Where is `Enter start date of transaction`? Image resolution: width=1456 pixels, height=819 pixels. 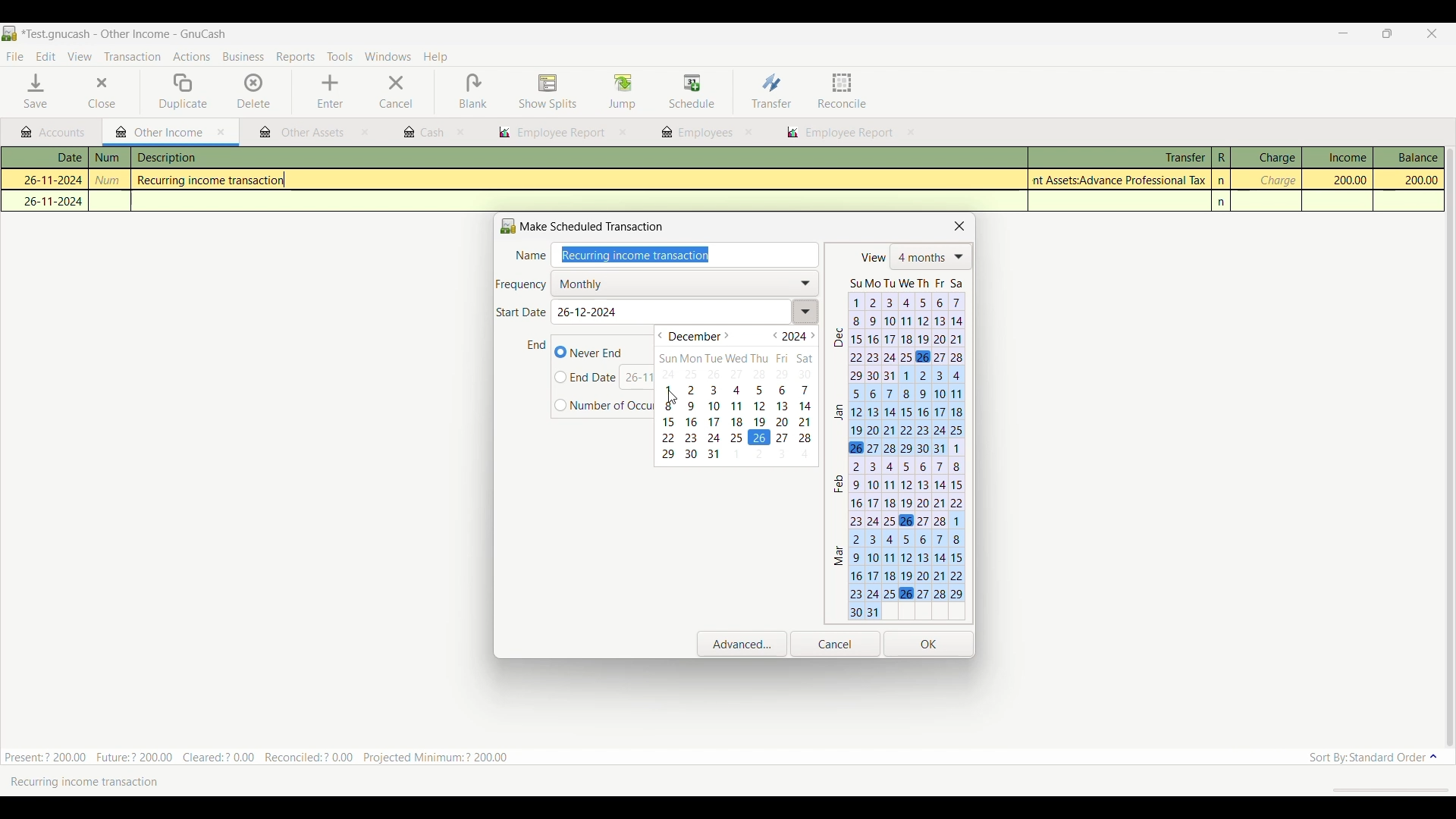
Enter start date of transaction is located at coordinates (684, 312).